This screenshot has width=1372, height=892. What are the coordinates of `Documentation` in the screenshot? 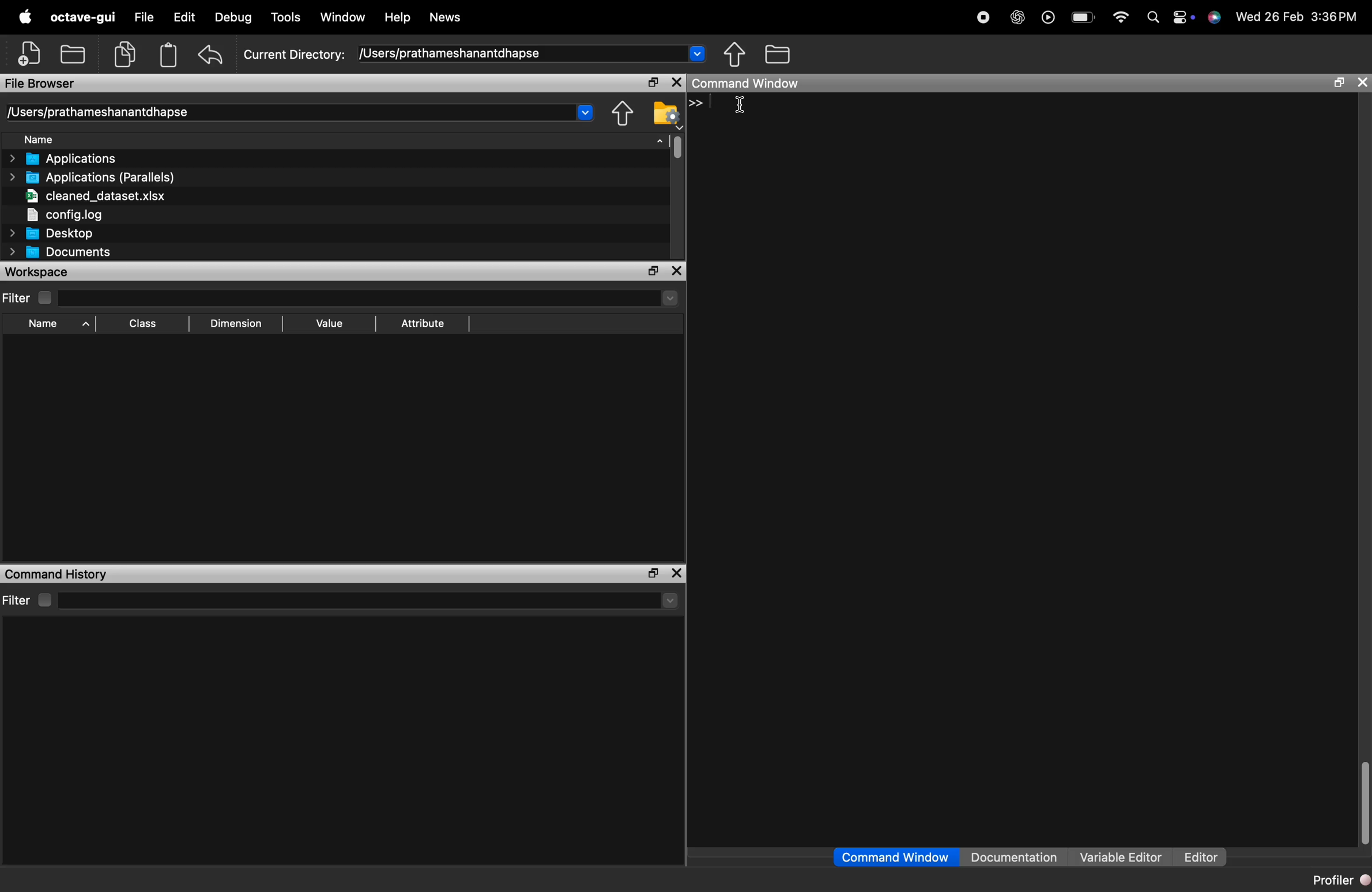 It's located at (1011, 857).